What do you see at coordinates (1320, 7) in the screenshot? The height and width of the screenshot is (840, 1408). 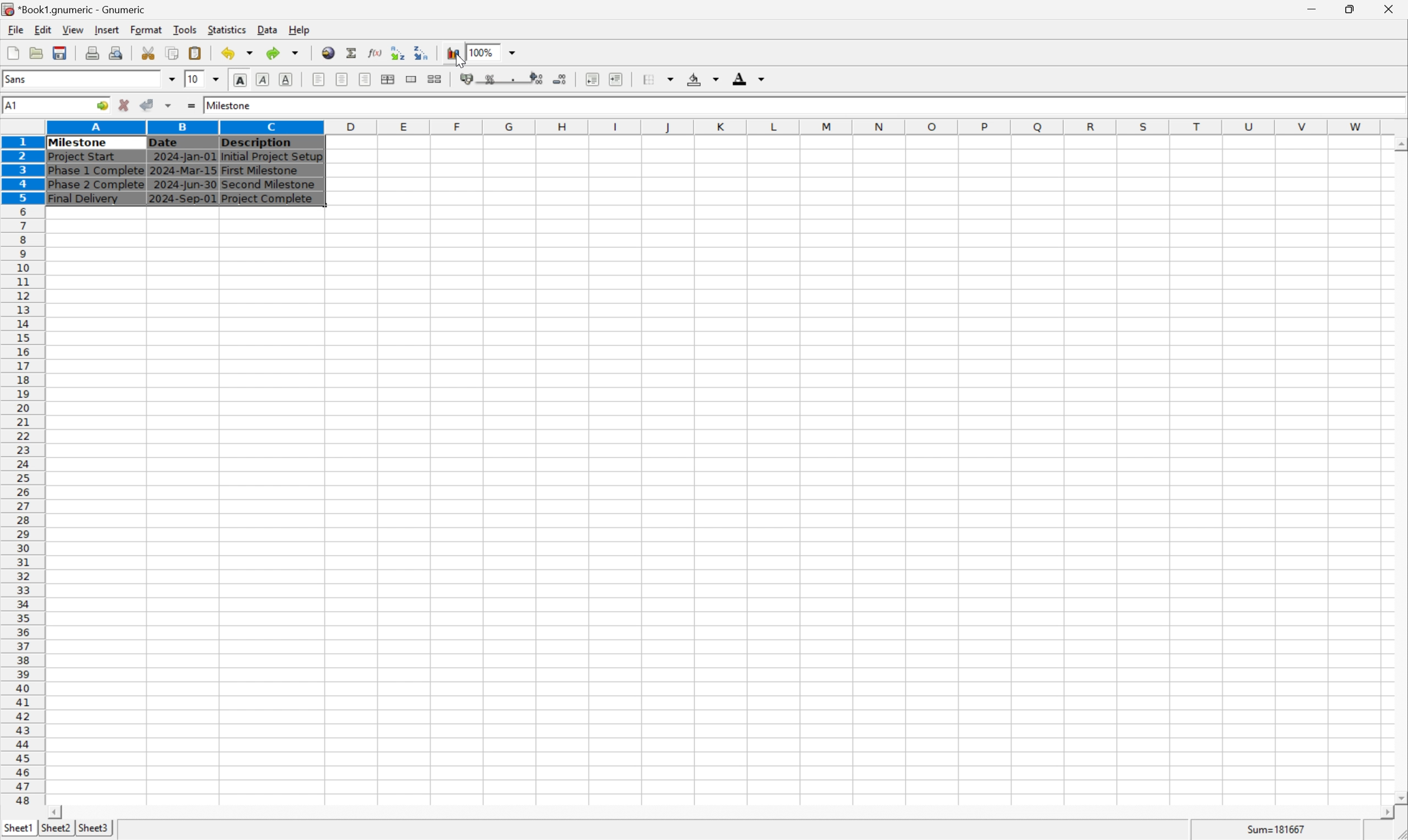 I see `minimize` at bounding box center [1320, 7].